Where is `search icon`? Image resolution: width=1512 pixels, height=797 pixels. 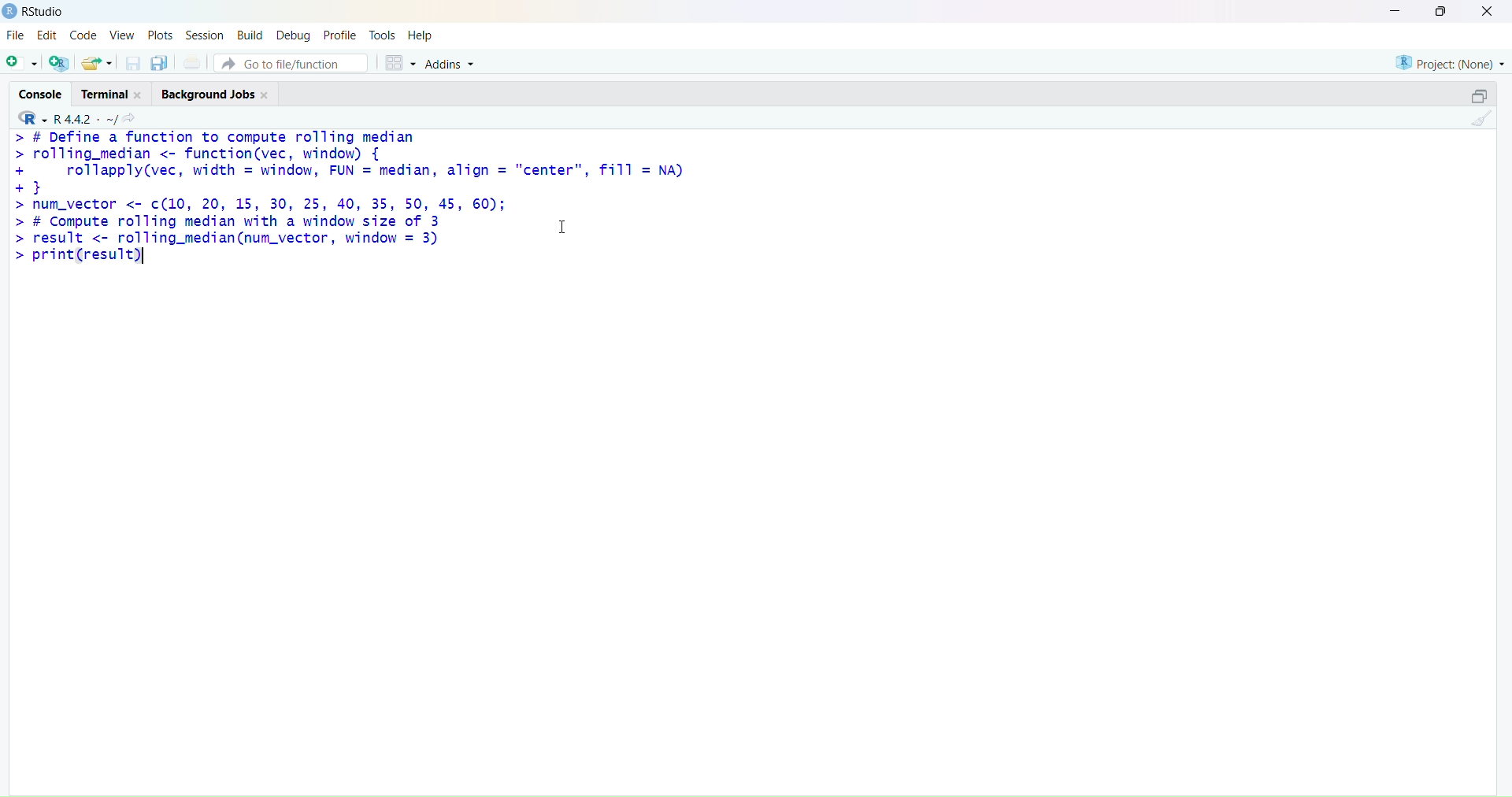 search icon is located at coordinates (130, 117).